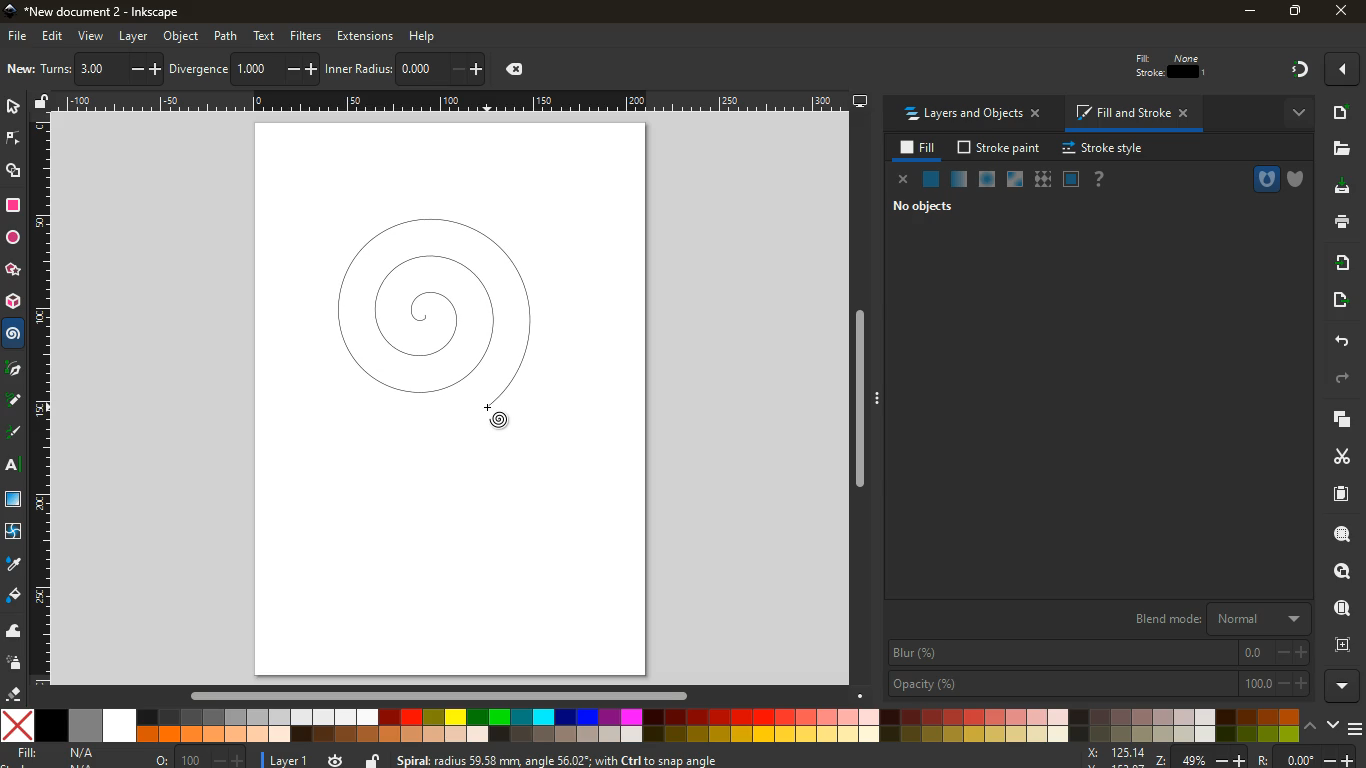 Image resolution: width=1366 pixels, height=768 pixels. I want to click on message, so click(681, 760).